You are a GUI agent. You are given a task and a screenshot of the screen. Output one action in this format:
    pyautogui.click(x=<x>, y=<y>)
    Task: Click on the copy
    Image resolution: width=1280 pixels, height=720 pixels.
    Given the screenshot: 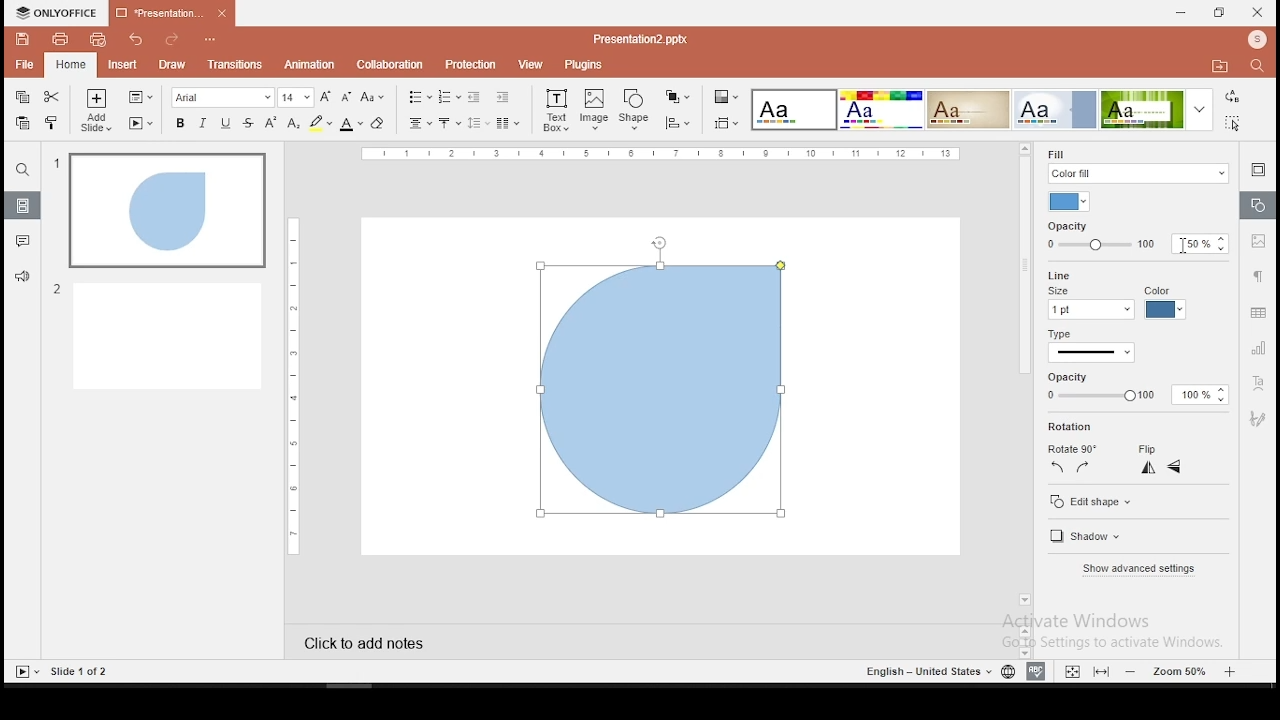 What is the action you would take?
    pyautogui.click(x=21, y=98)
    